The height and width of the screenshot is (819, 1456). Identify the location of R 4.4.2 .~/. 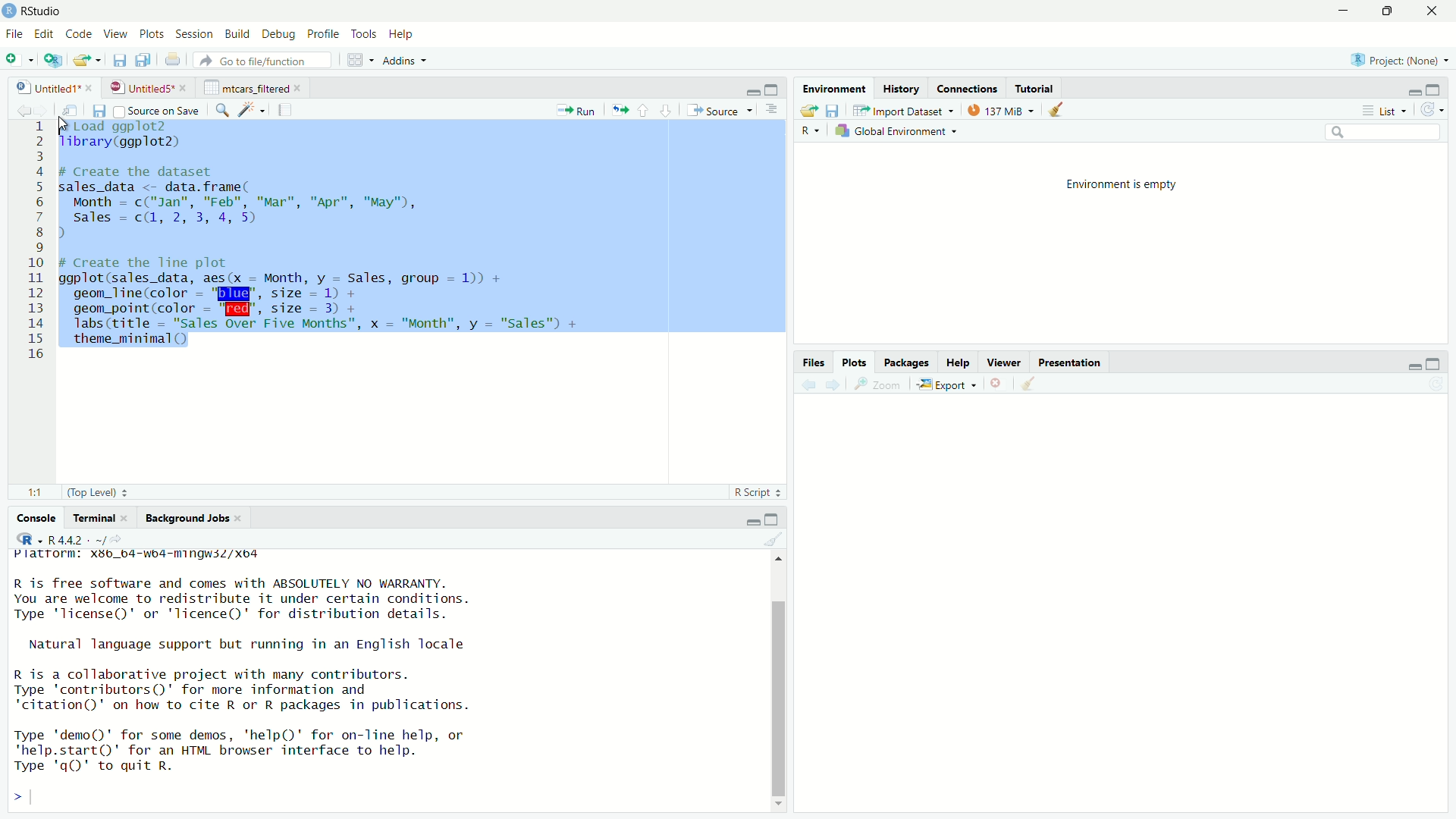
(77, 540).